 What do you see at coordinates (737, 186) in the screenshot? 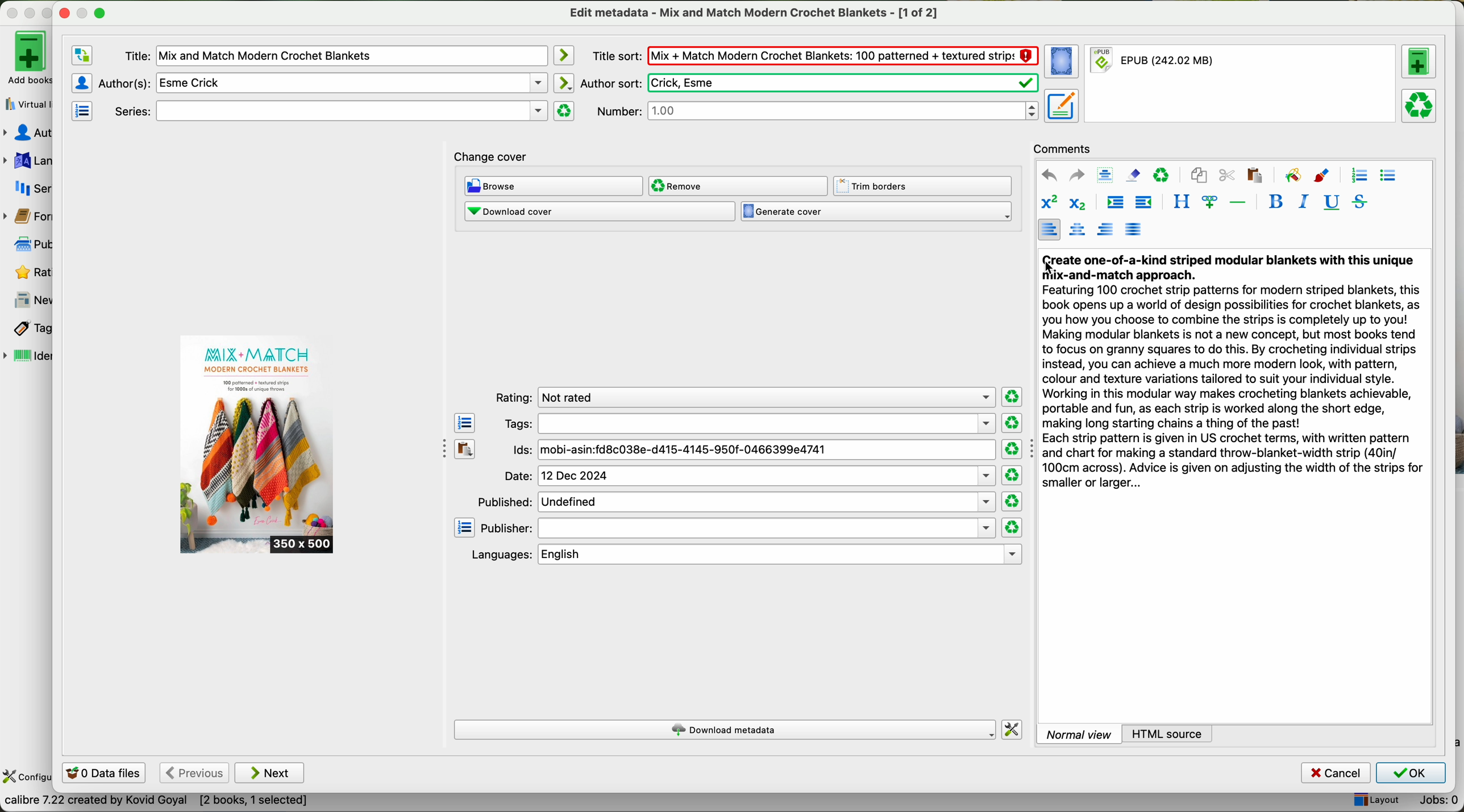
I see `remove` at bounding box center [737, 186].